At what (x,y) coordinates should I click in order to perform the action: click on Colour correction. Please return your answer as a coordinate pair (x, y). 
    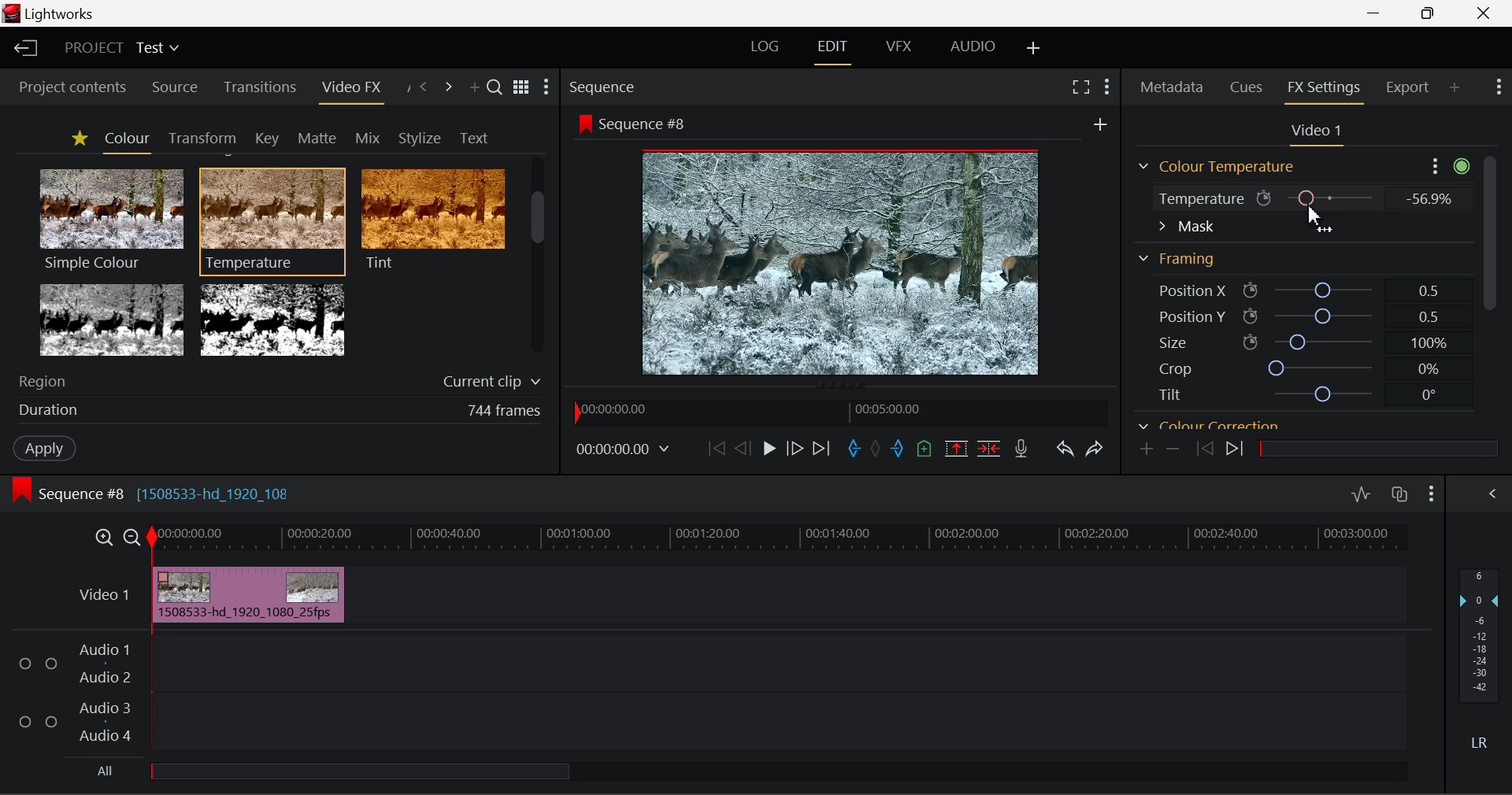
    Looking at the image, I should click on (1209, 423).